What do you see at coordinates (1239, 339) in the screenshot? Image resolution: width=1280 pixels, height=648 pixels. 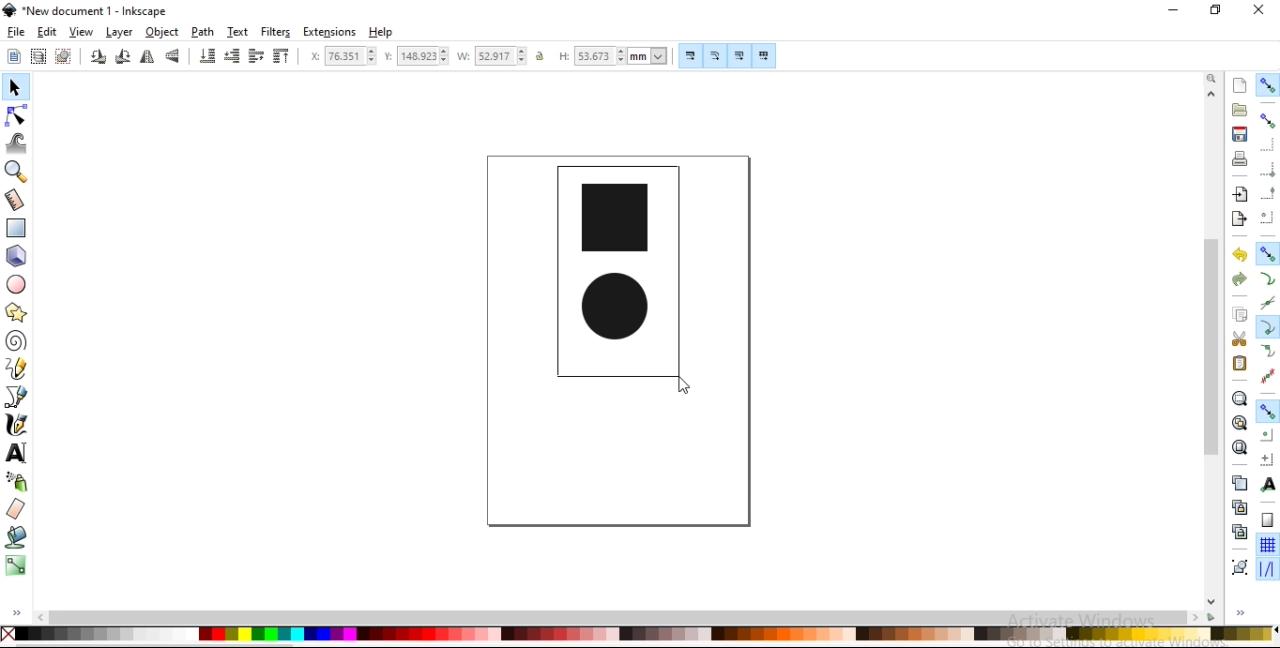 I see `cut` at bounding box center [1239, 339].